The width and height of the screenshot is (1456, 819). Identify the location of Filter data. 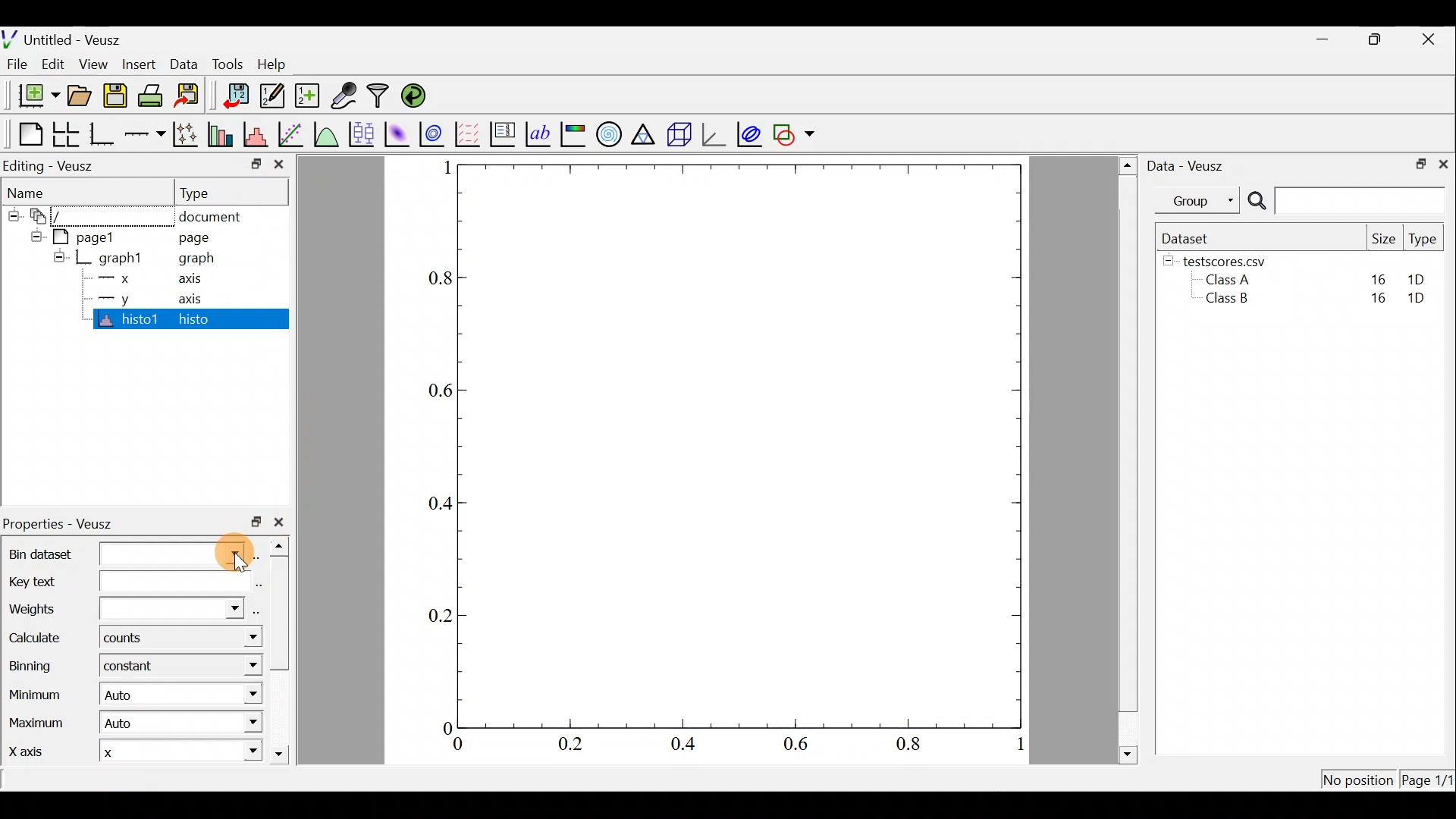
(379, 96).